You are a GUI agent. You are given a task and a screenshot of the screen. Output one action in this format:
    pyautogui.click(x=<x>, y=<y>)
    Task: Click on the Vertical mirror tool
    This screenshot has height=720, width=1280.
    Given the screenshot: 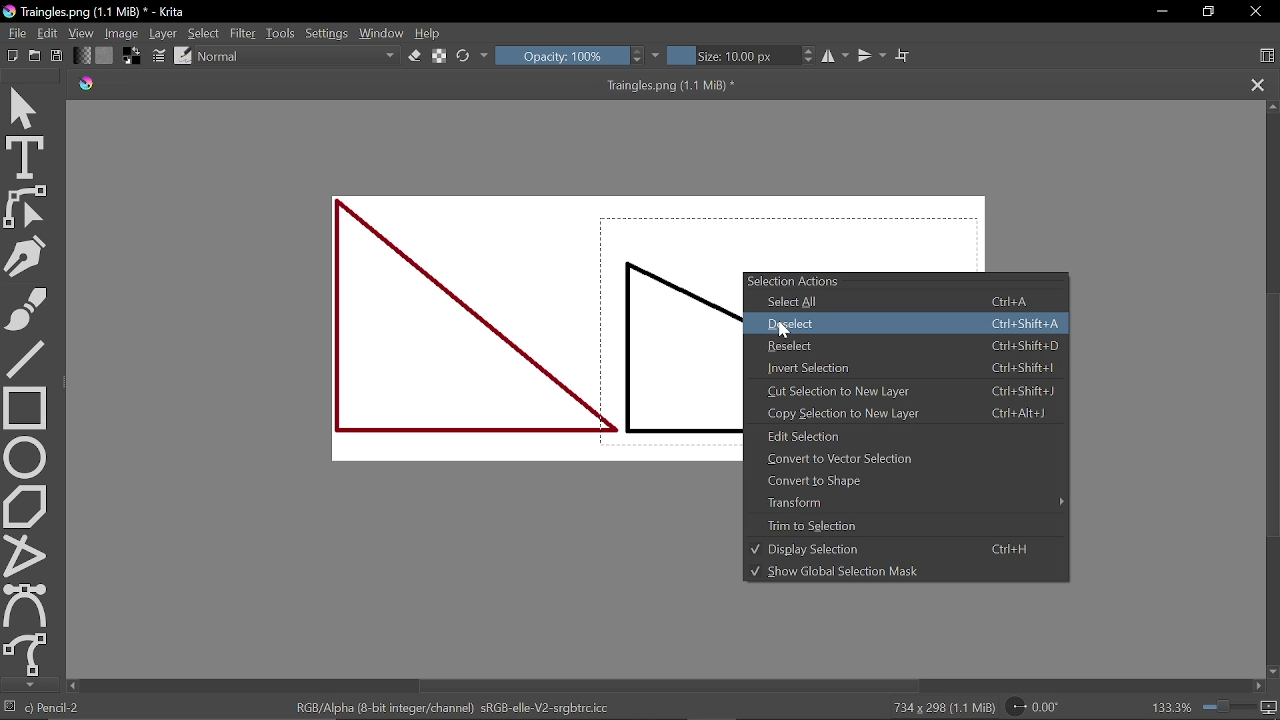 What is the action you would take?
    pyautogui.click(x=874, y=56)
    